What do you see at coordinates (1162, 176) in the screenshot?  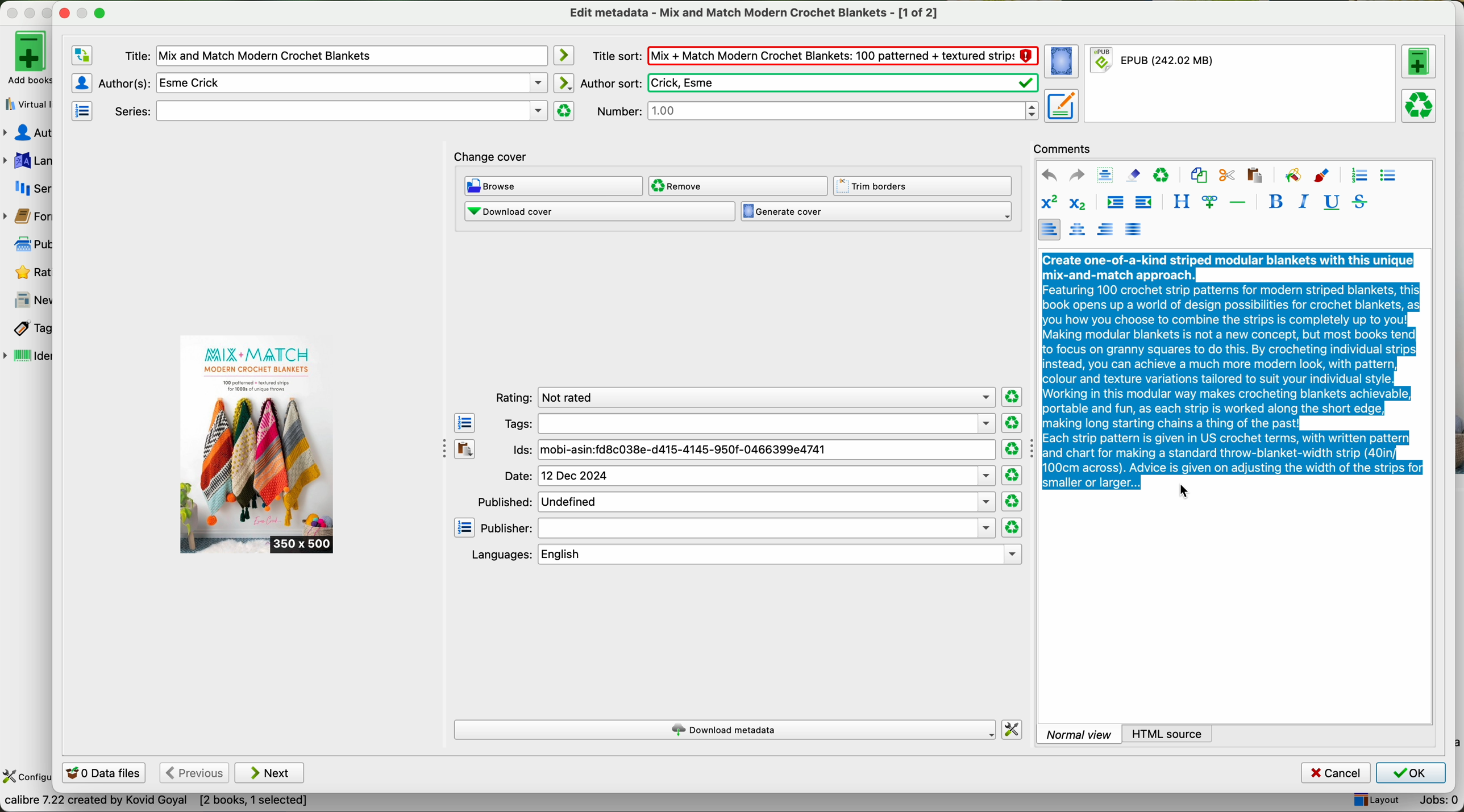 I see `clear` at bounding box center [1162, 176].